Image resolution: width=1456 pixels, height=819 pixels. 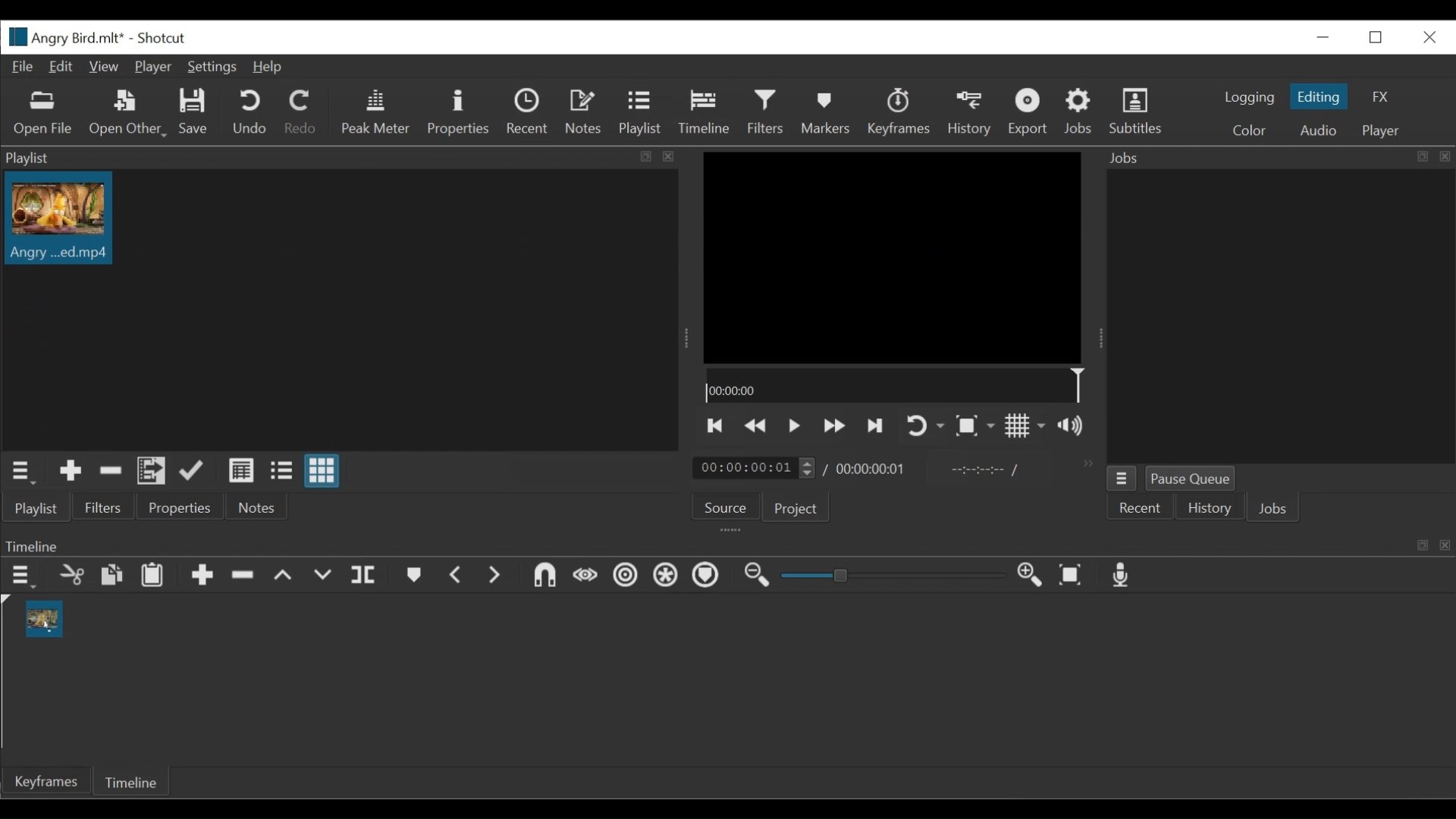 What do you see at coordinates (48, 618) in the screenshot?
I see `Clip` at bounding box center [48, 618].